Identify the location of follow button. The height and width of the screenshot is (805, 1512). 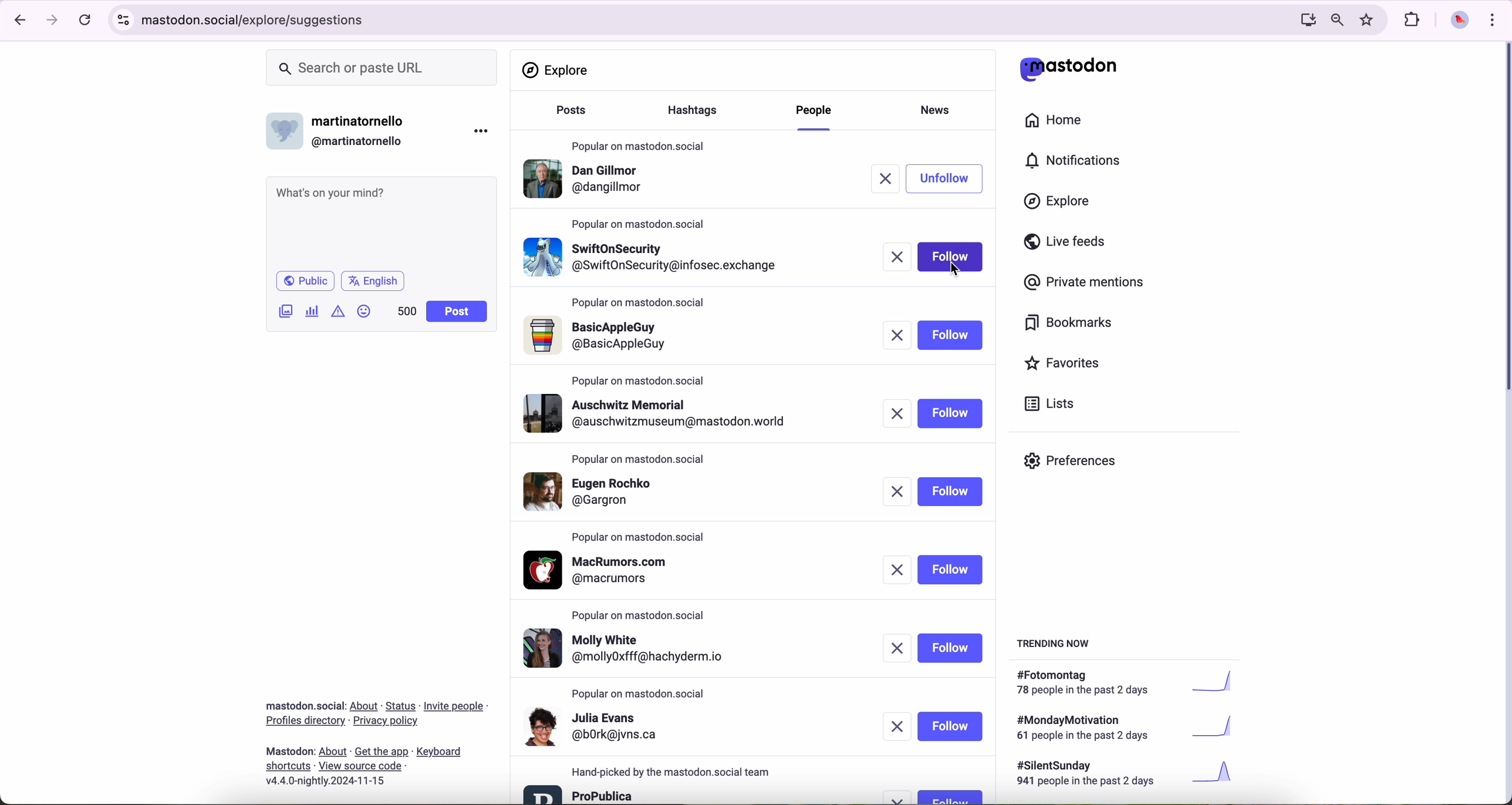
(950, 413).